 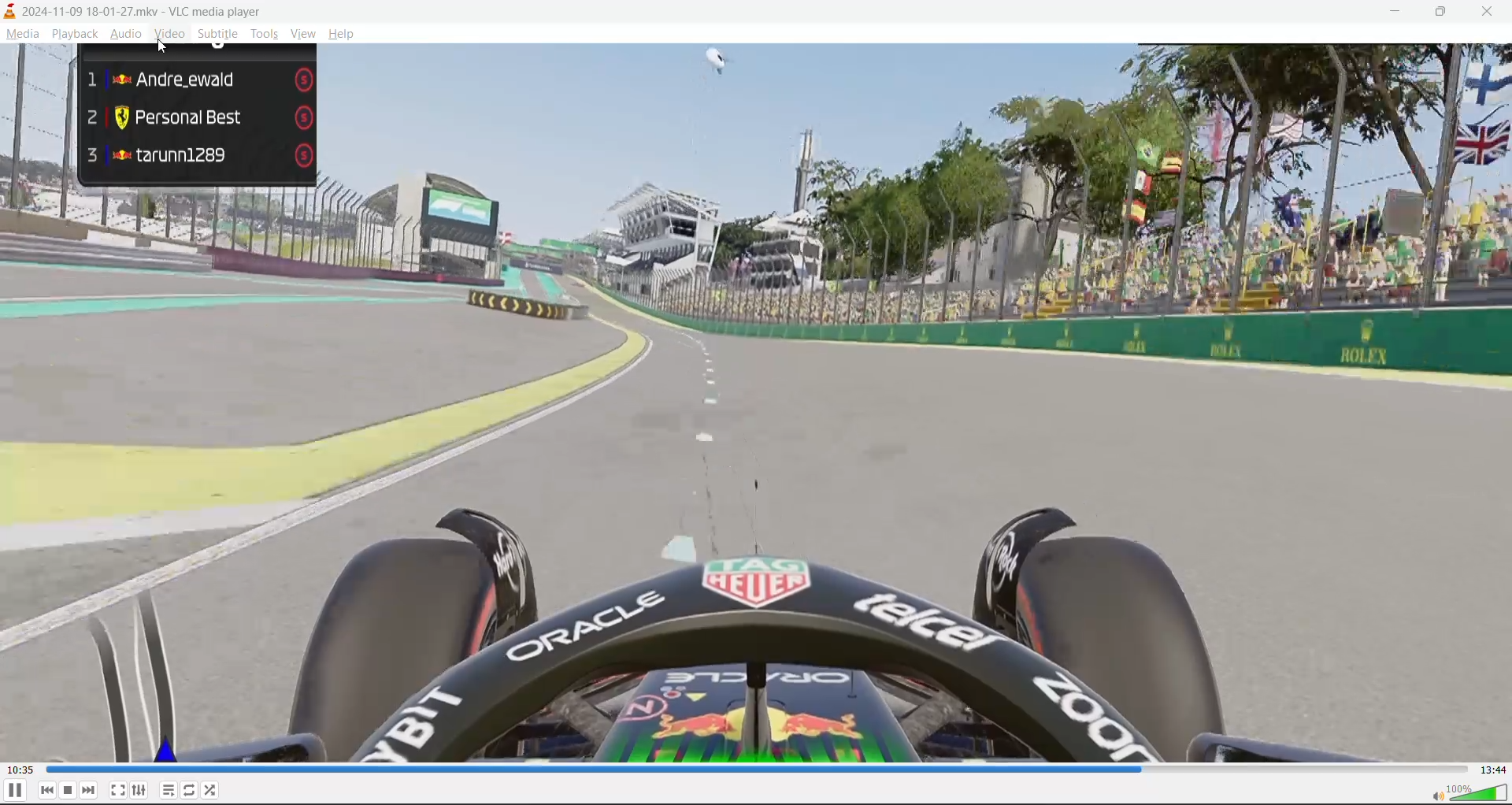 What do you see at coordinates (1392, 13) in the screenshot?
I see `minimize` at bounding box center [1392, 13].